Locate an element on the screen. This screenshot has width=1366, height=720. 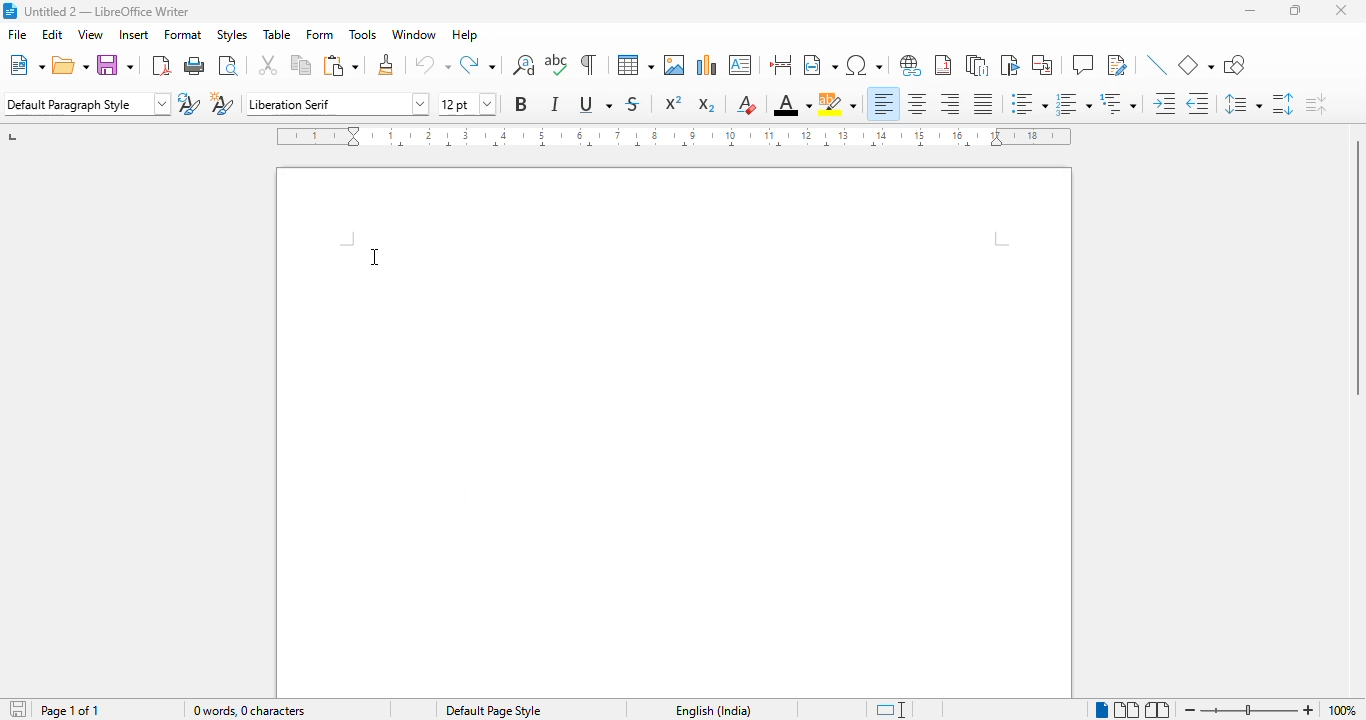
zoom out is located at coordinates (1191, 710).